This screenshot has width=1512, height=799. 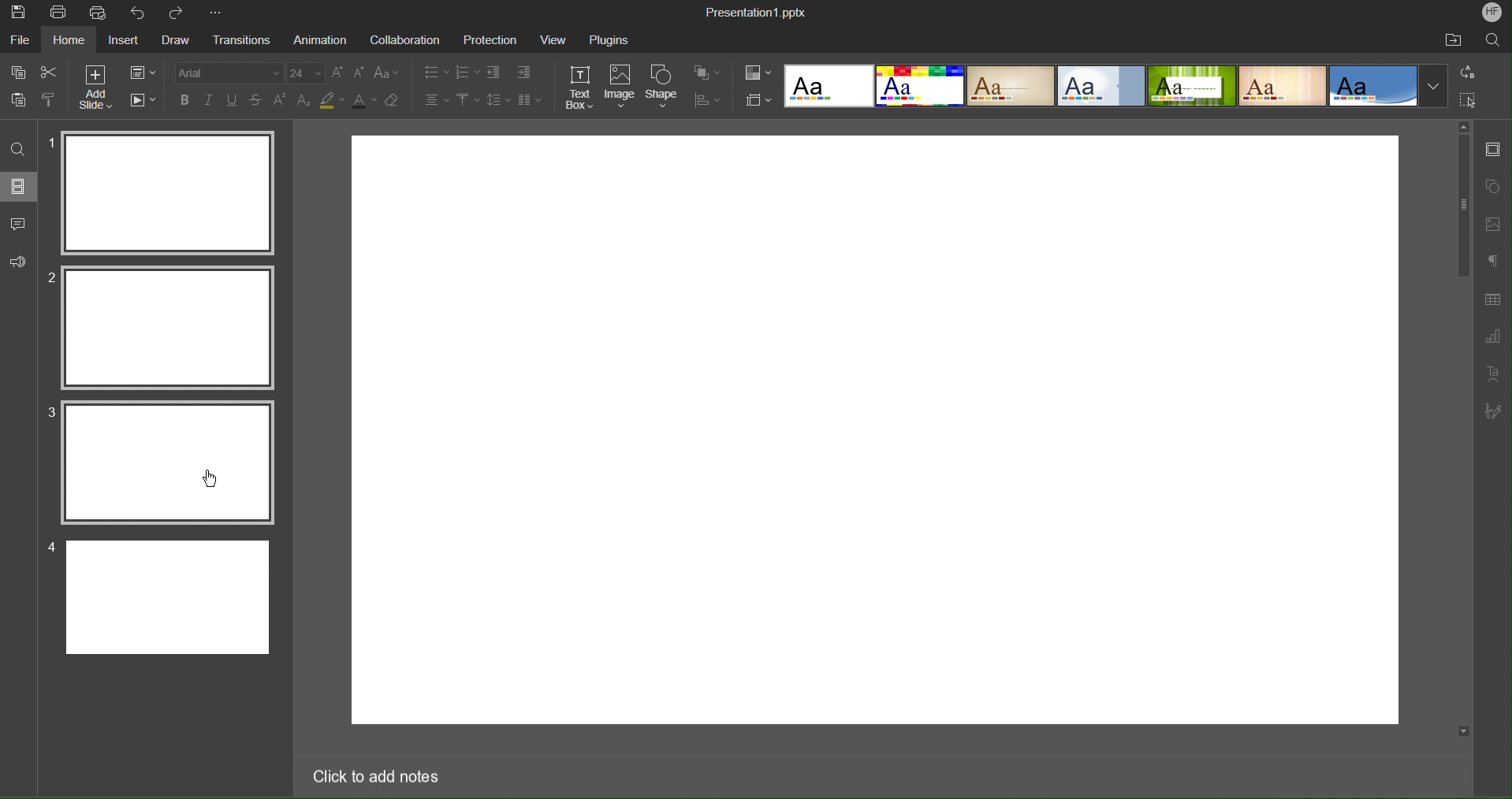 What do you see at coordinates (22, 101) in the screenshot?
I see `paste` at bounding box center [22, 101].